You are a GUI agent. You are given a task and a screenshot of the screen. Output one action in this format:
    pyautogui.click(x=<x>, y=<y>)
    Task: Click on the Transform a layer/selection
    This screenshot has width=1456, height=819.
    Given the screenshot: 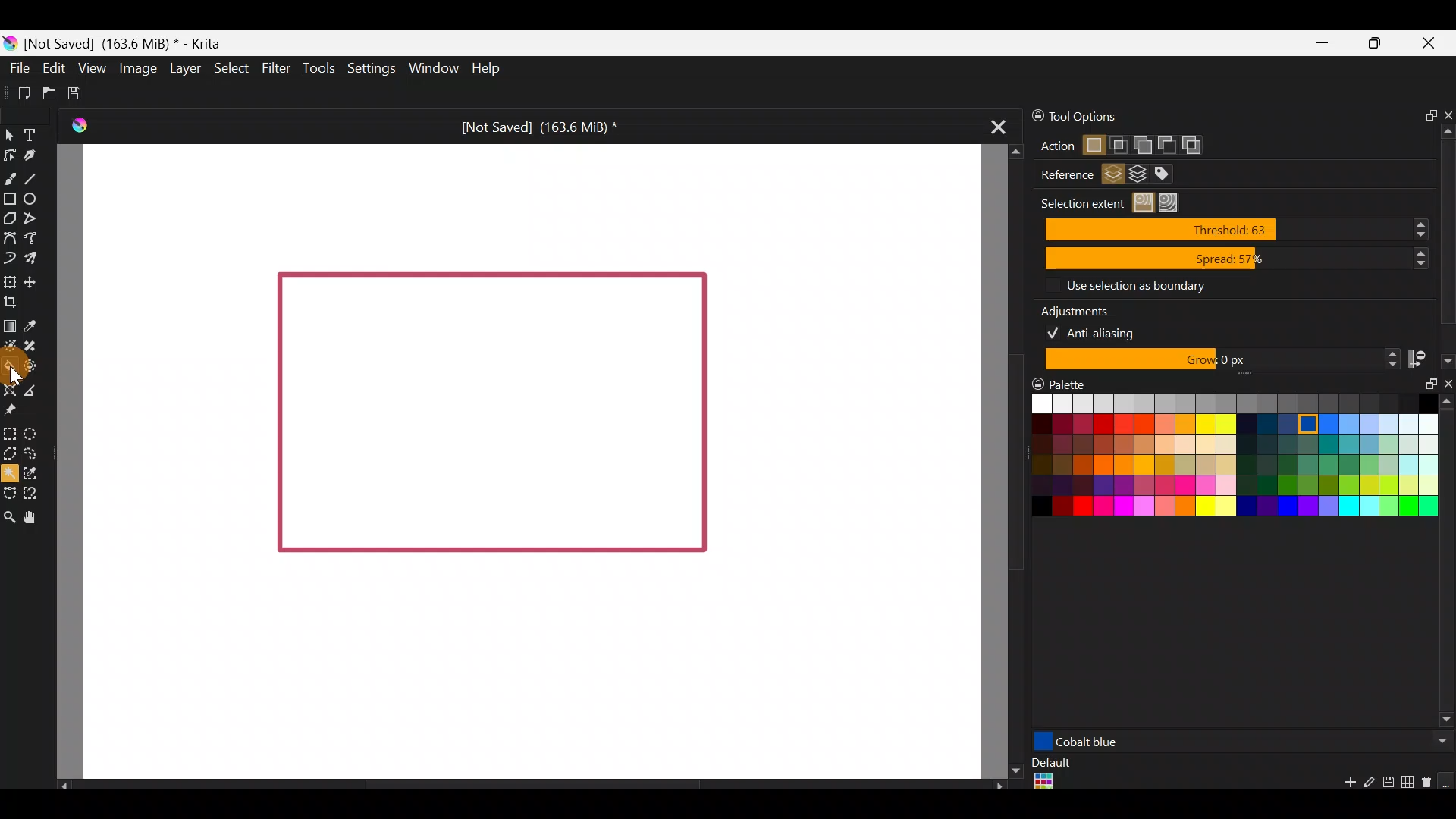 What is the action you would take?
    pyautogui.click(x=9, y=280)
    